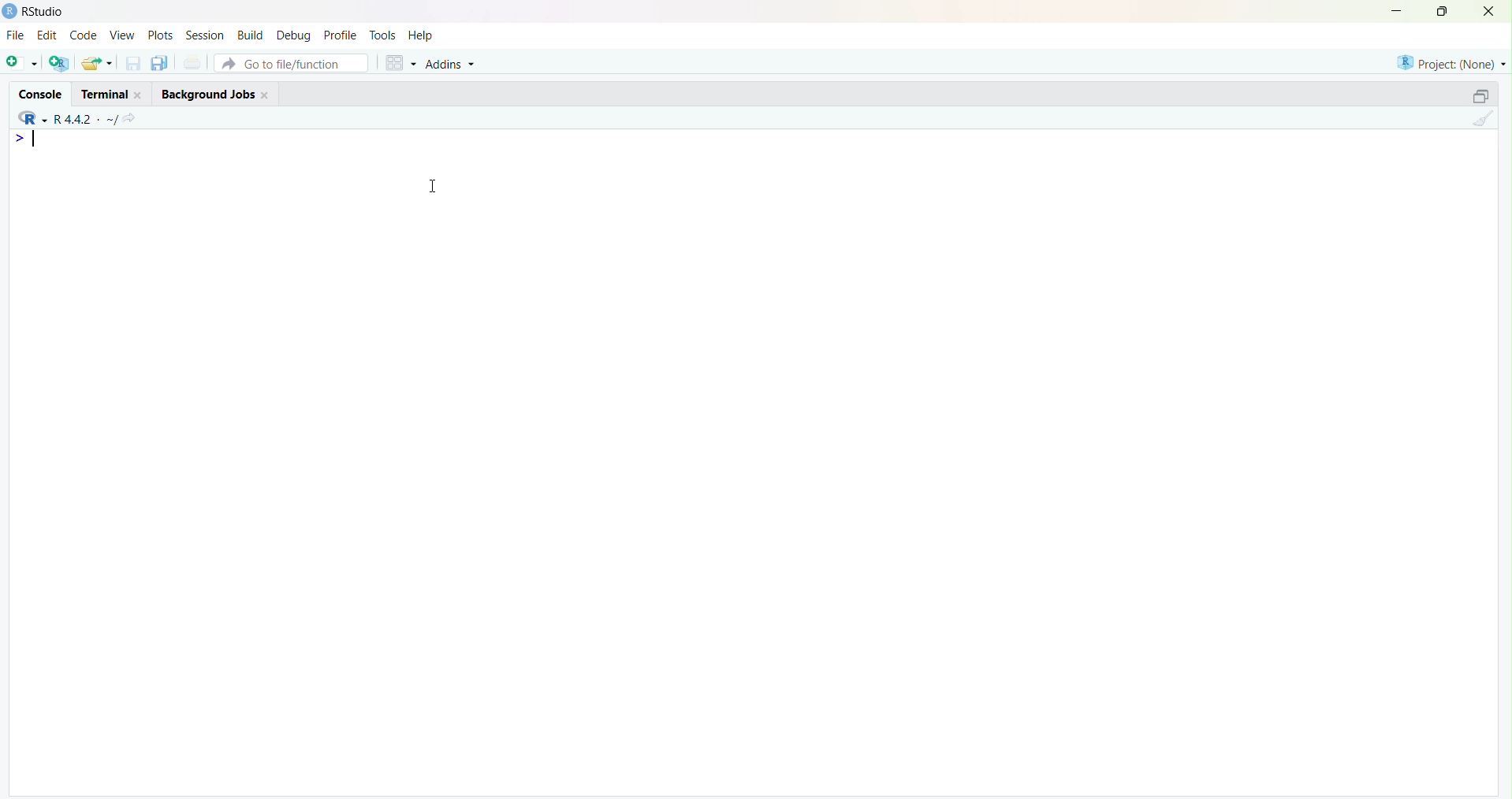  I want to click on Console, so click(43, 91).